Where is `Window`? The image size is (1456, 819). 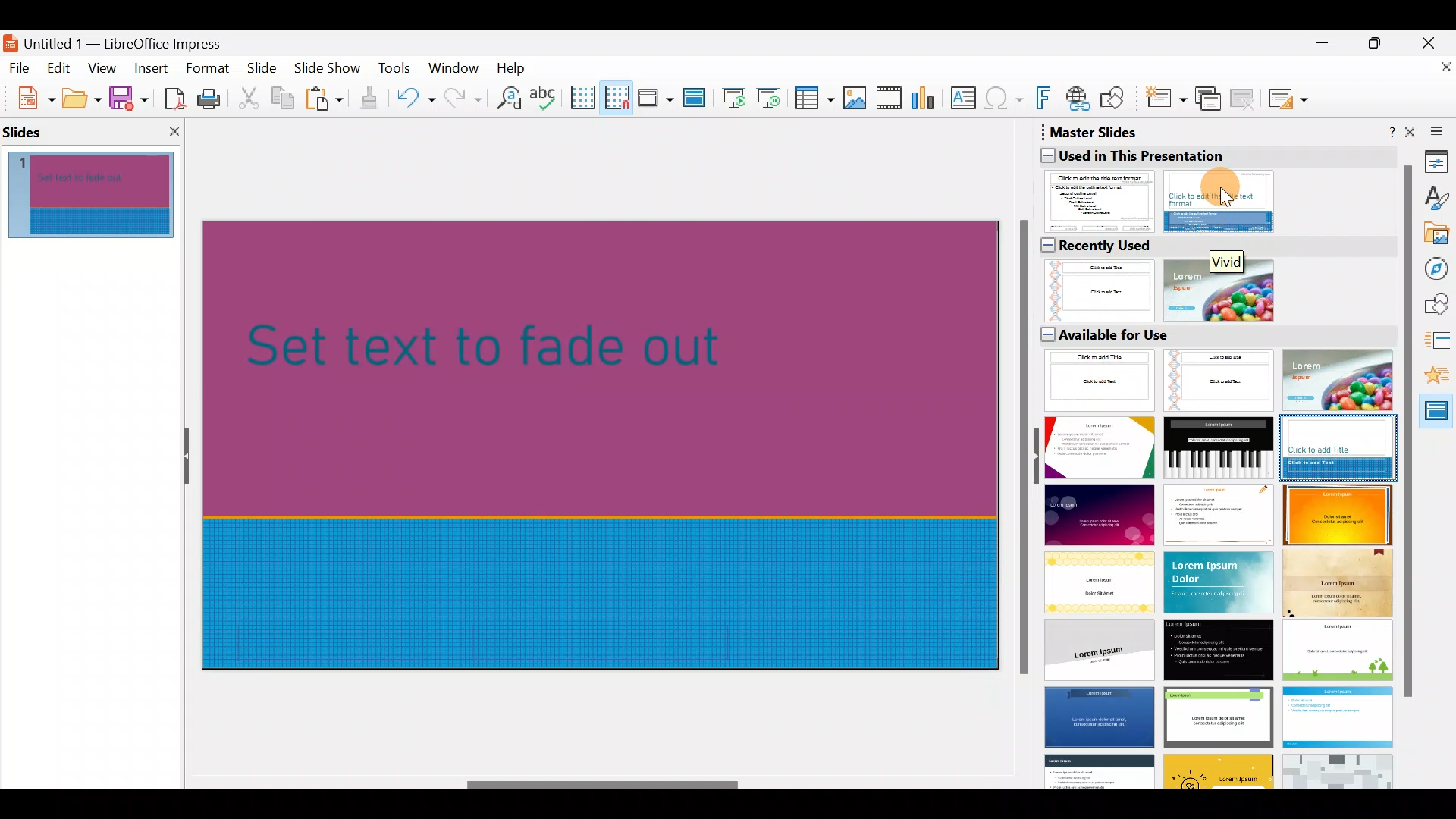
Window is located at coordinates (457, 67).